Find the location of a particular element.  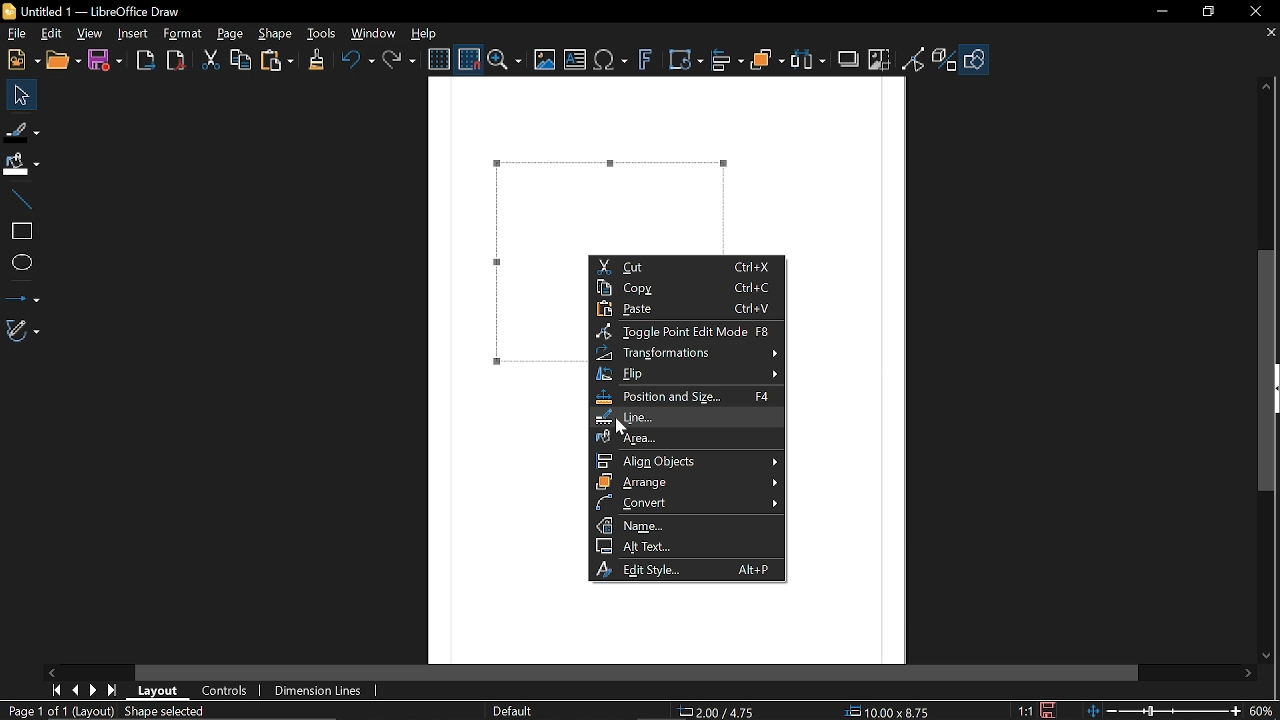

Cut is located at coordinates (686, 266).